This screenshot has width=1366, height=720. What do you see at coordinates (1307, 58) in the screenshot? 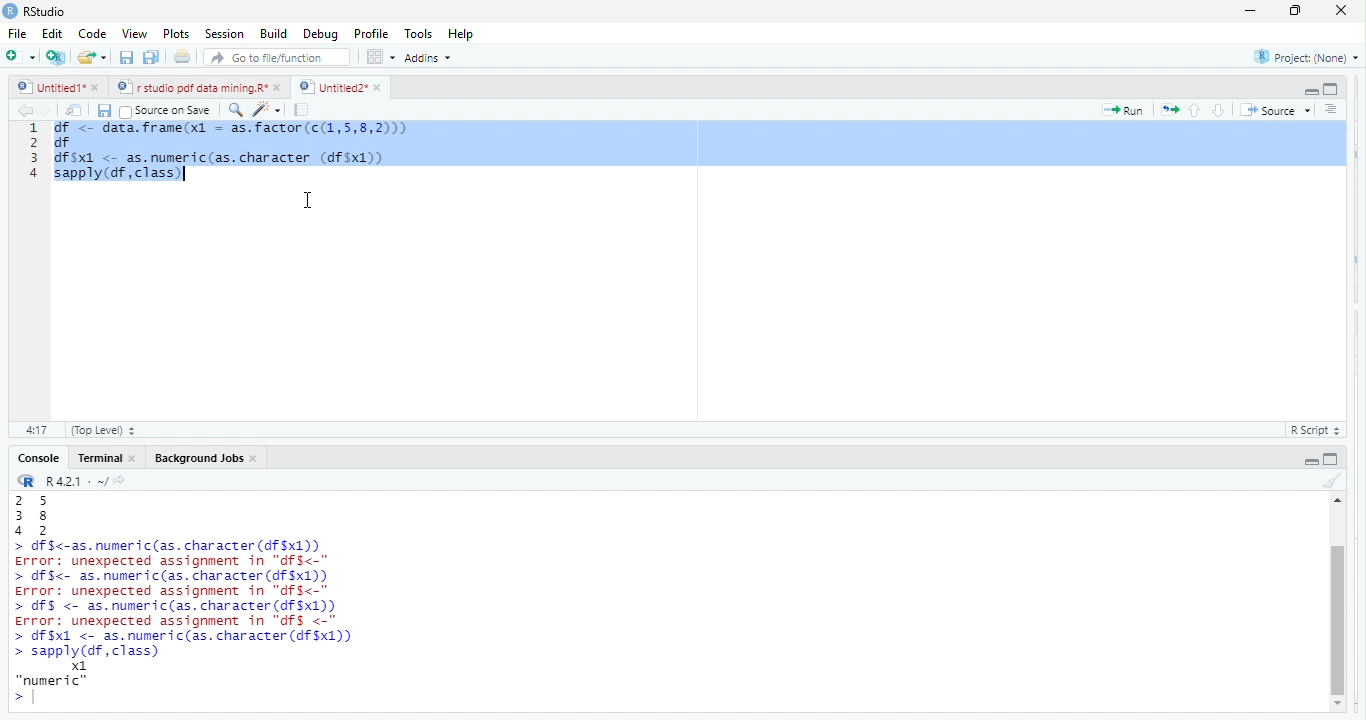
I see ` Project: (None) ` at bounding box center [1307, 58].